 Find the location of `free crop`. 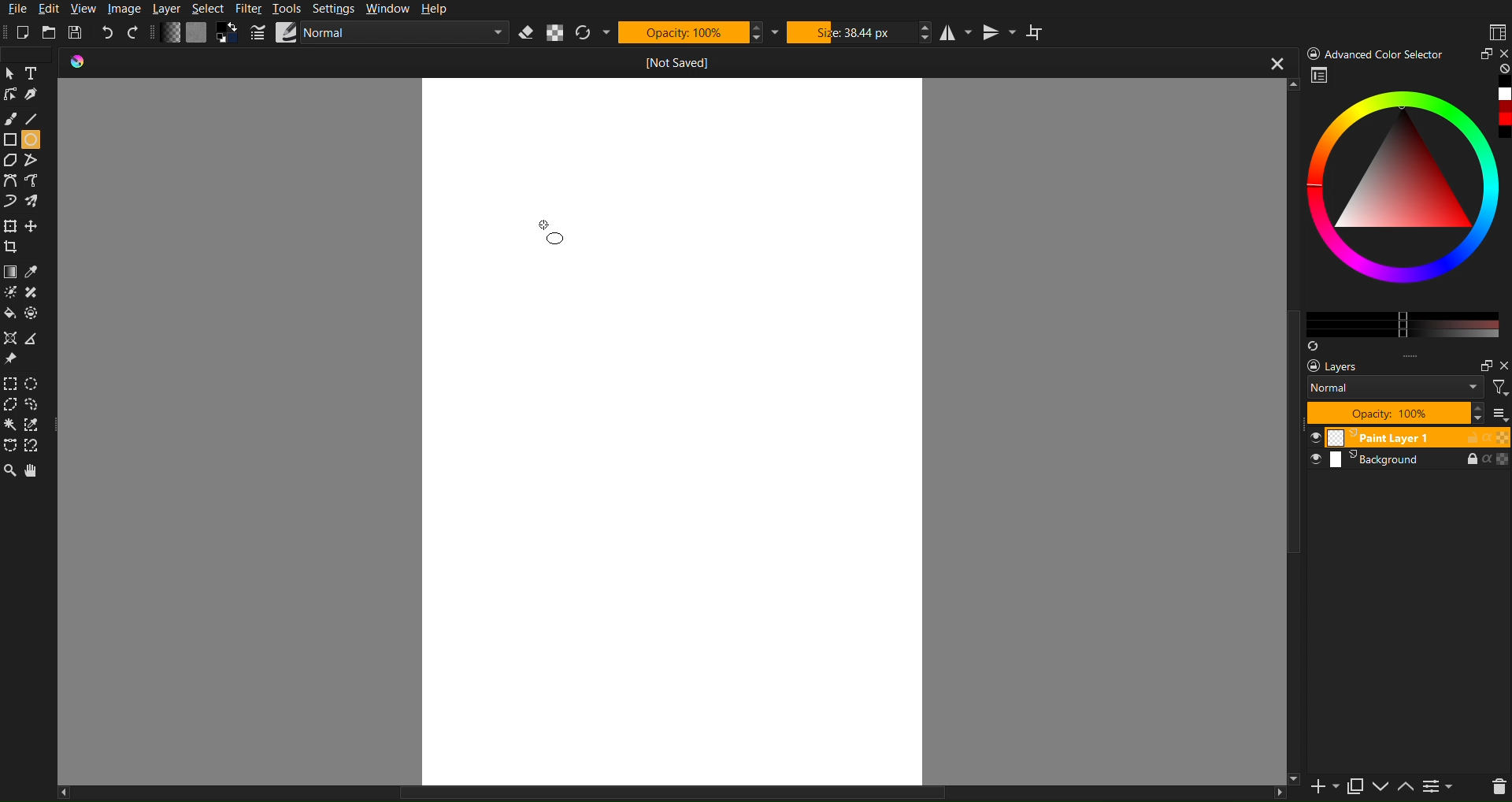

free crop is located at coordinates (34, 229).